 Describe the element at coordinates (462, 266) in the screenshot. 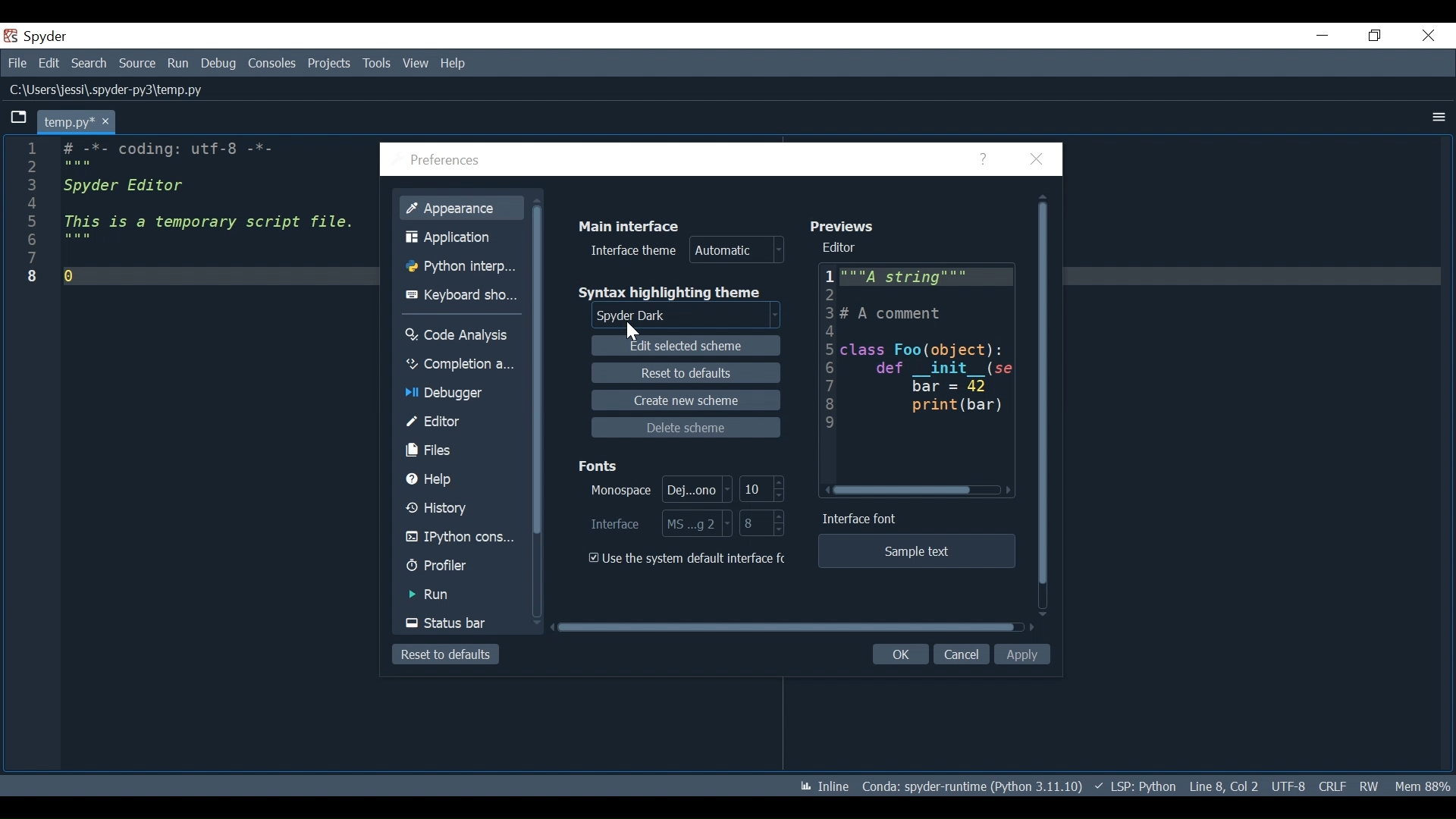

I see `Python Interpreter` at that location.